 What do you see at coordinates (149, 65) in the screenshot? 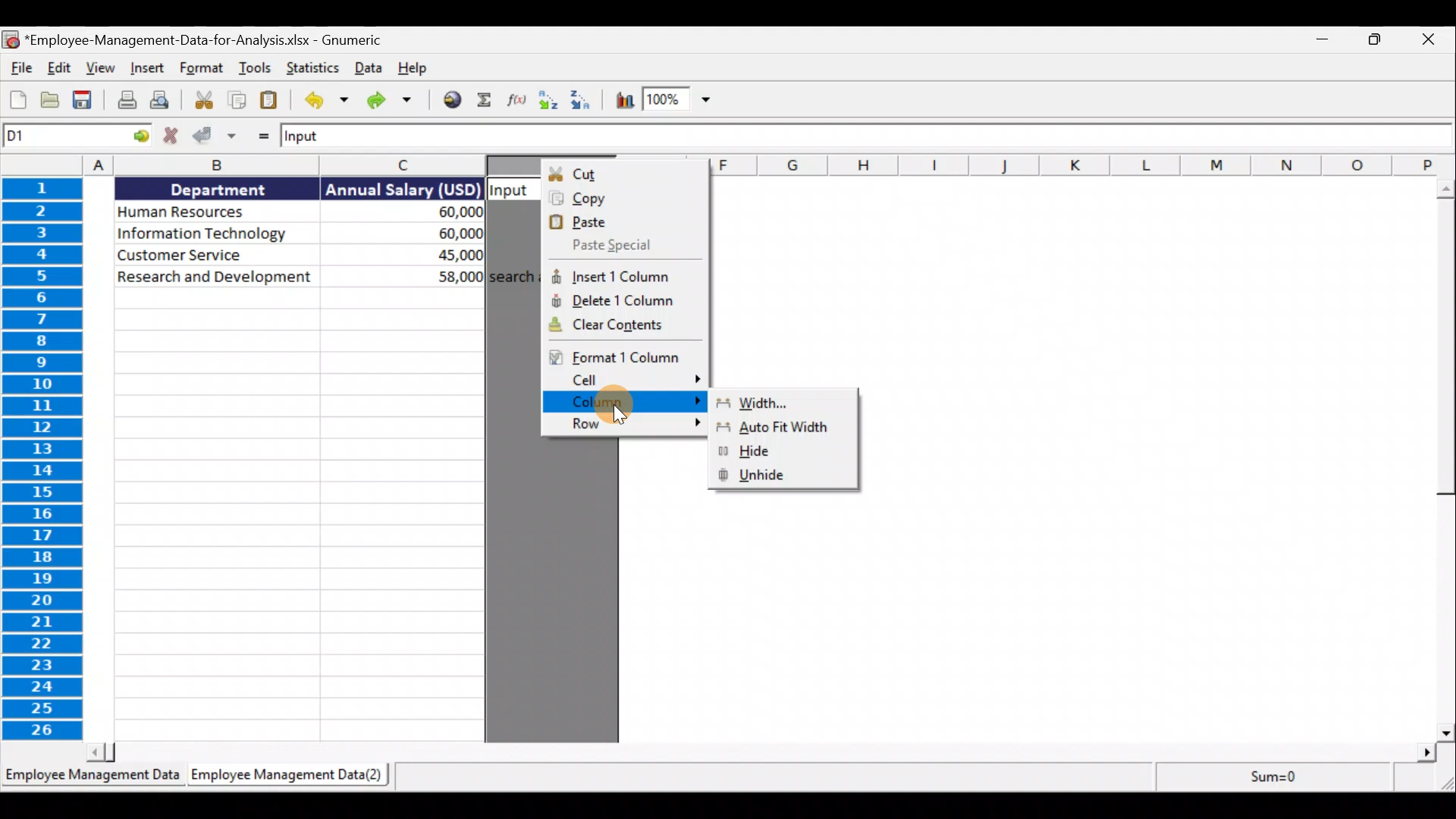
I see `Insert` at bounding box center [149, 65].